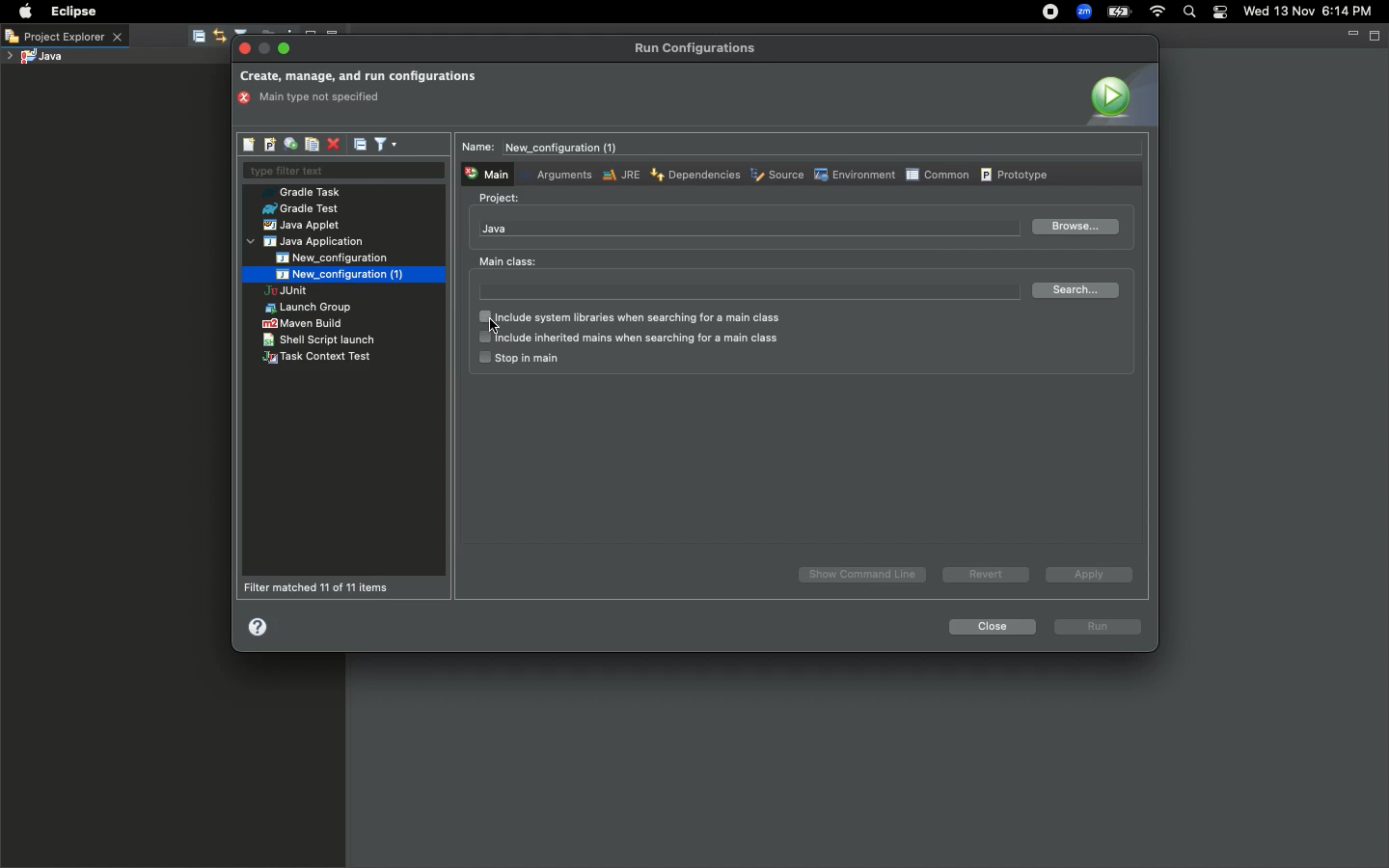 This screenshot has height=868, width=1389. Describe the element at coordinates (265, 49) in the screenshot. I see `minimize` at that location.